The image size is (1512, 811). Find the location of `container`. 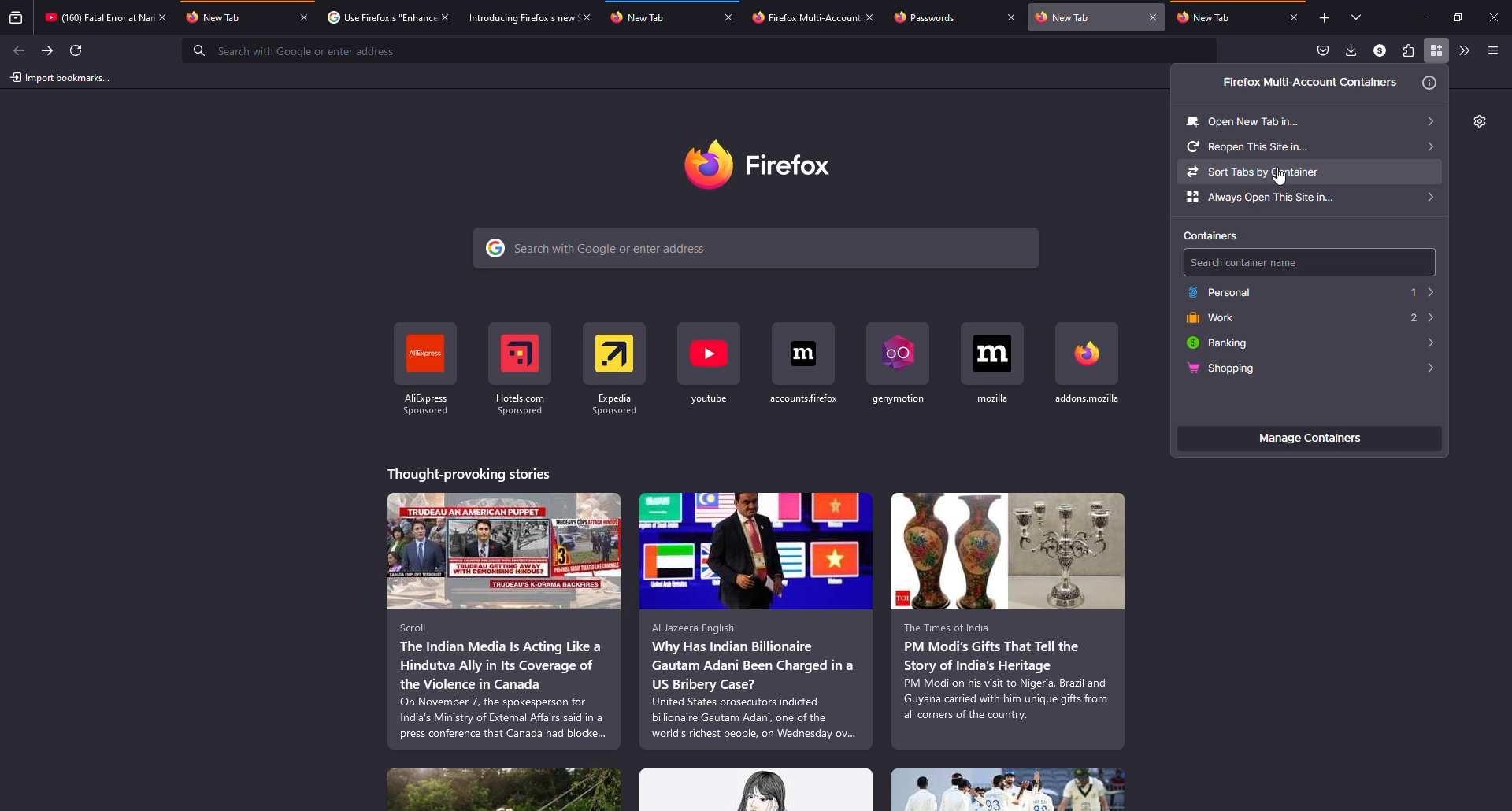

container is located at coordinates (1437, 50).